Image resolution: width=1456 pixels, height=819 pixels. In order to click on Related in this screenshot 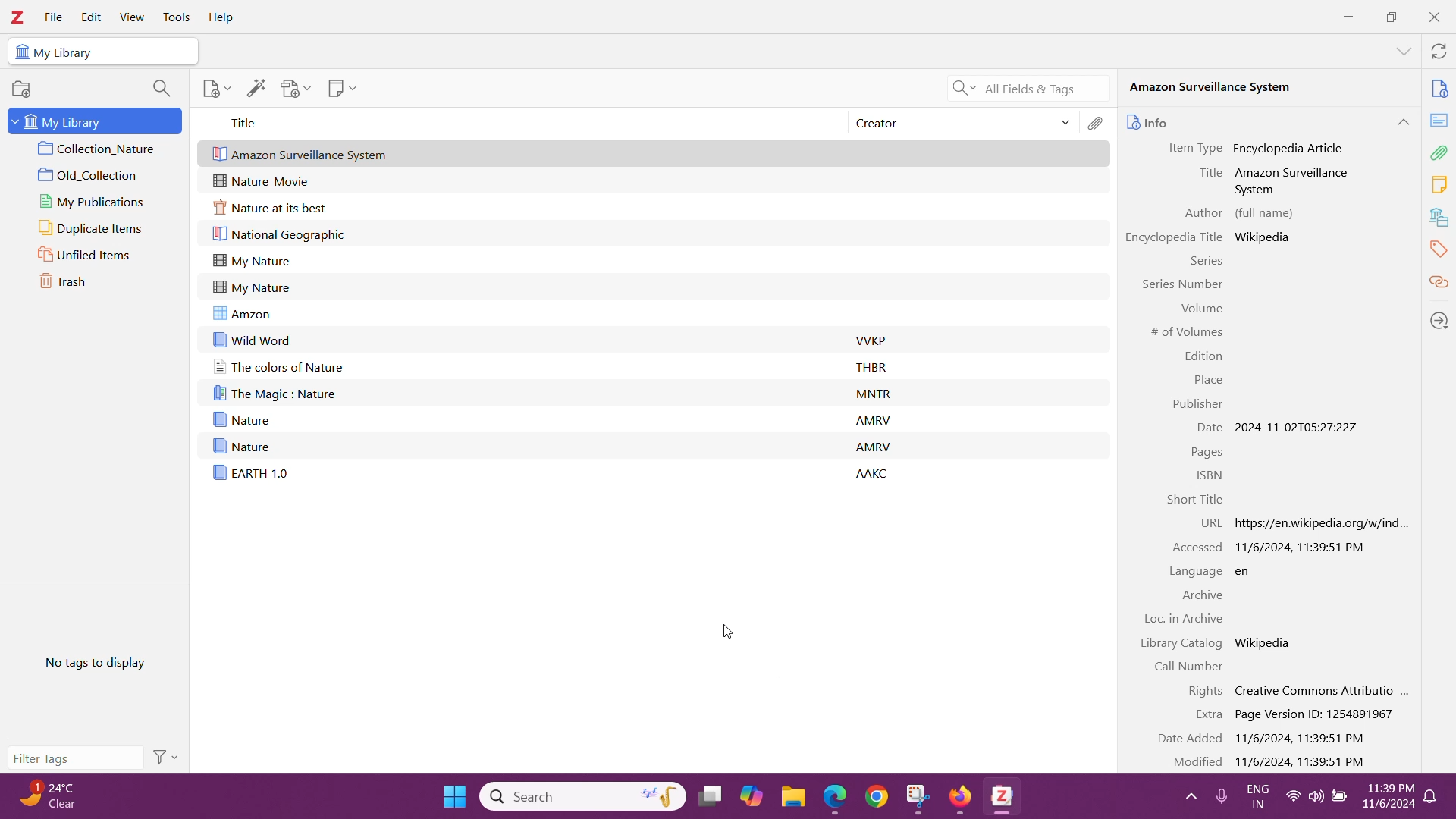, I will do `click(1439, 285)`.